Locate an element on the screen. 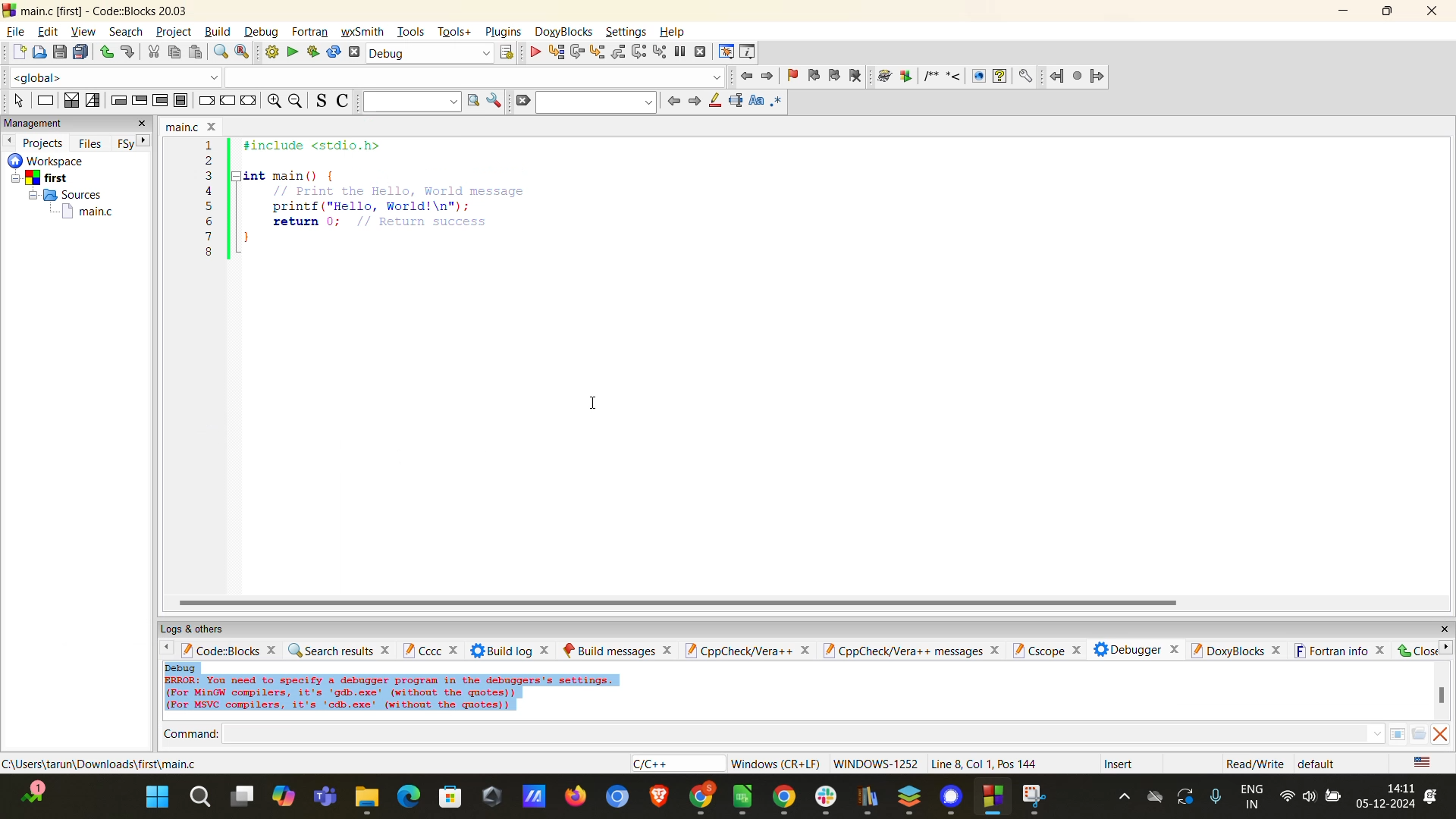  cut is located at coordinates (154, 54).